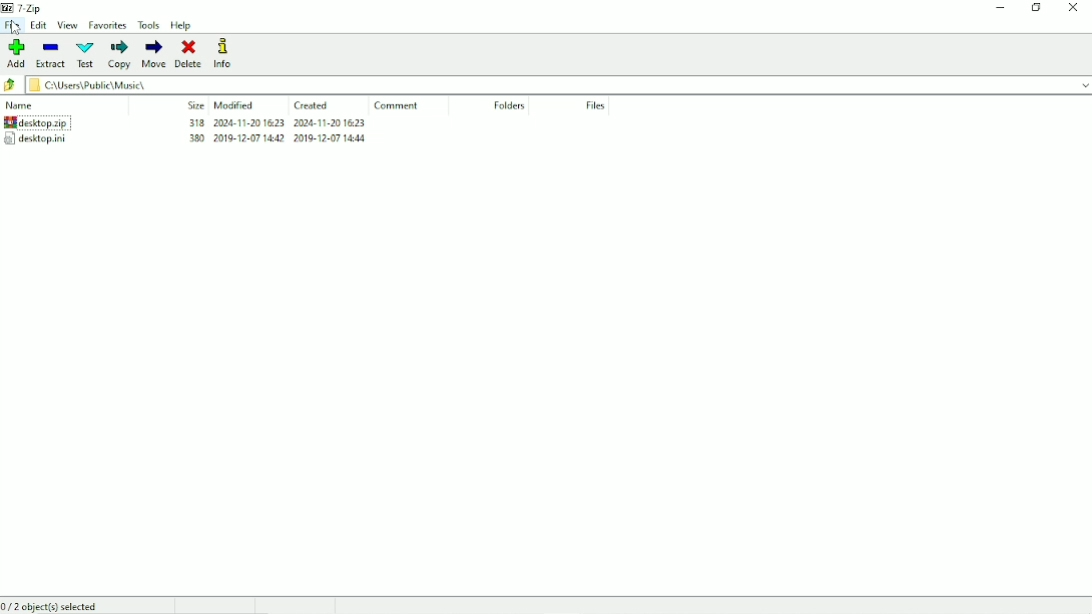  I want to click on Size, so click(196, 105).